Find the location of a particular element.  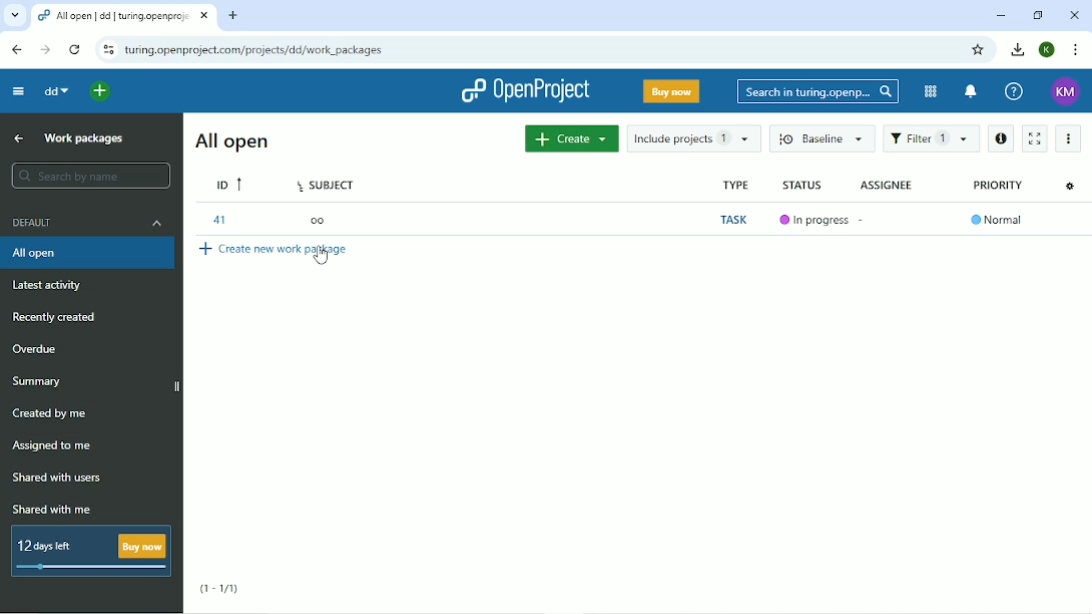

Work packages is located at coordinates (84, 140).